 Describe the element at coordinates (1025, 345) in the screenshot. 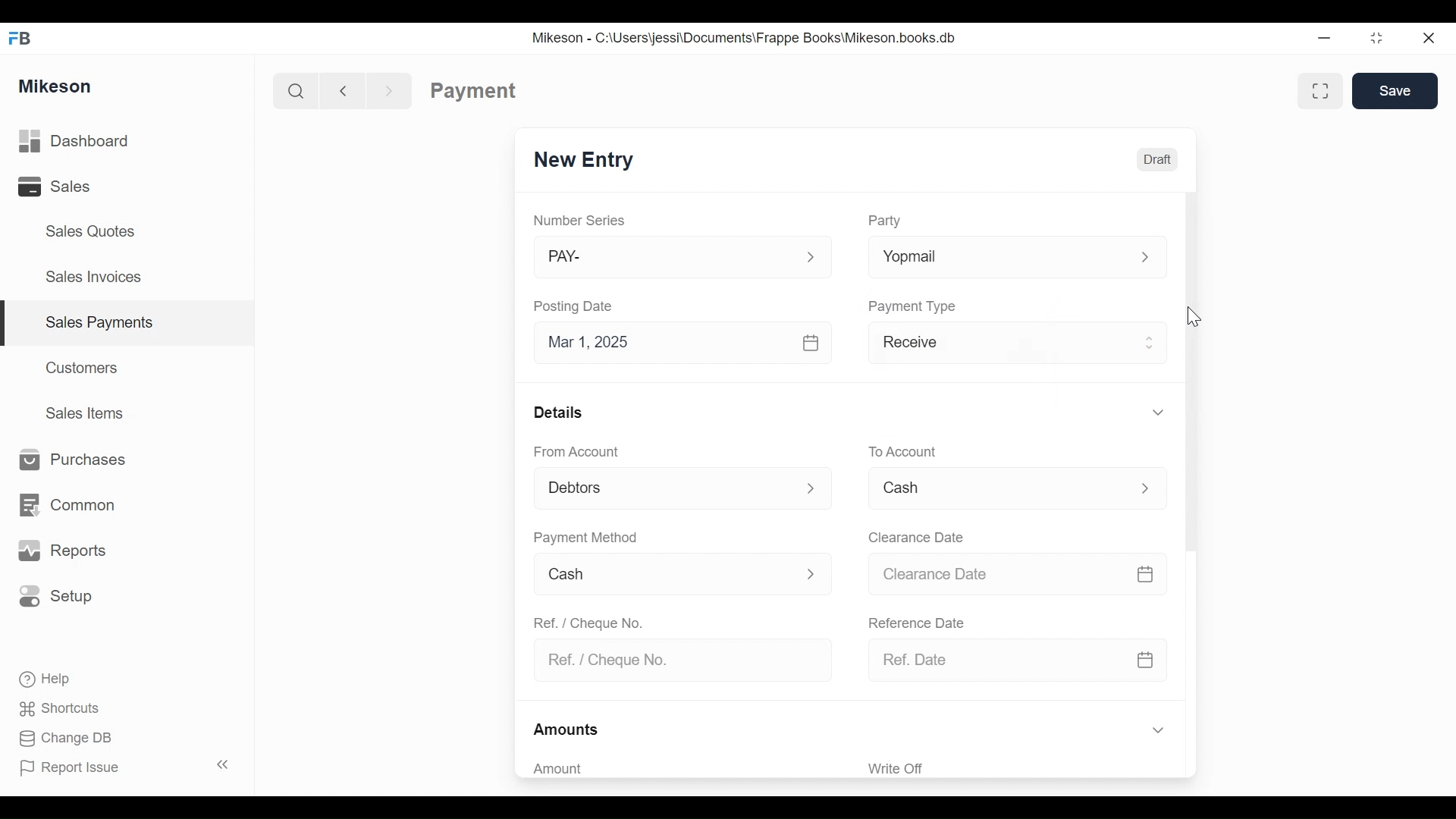

I see `Receive` at that location.